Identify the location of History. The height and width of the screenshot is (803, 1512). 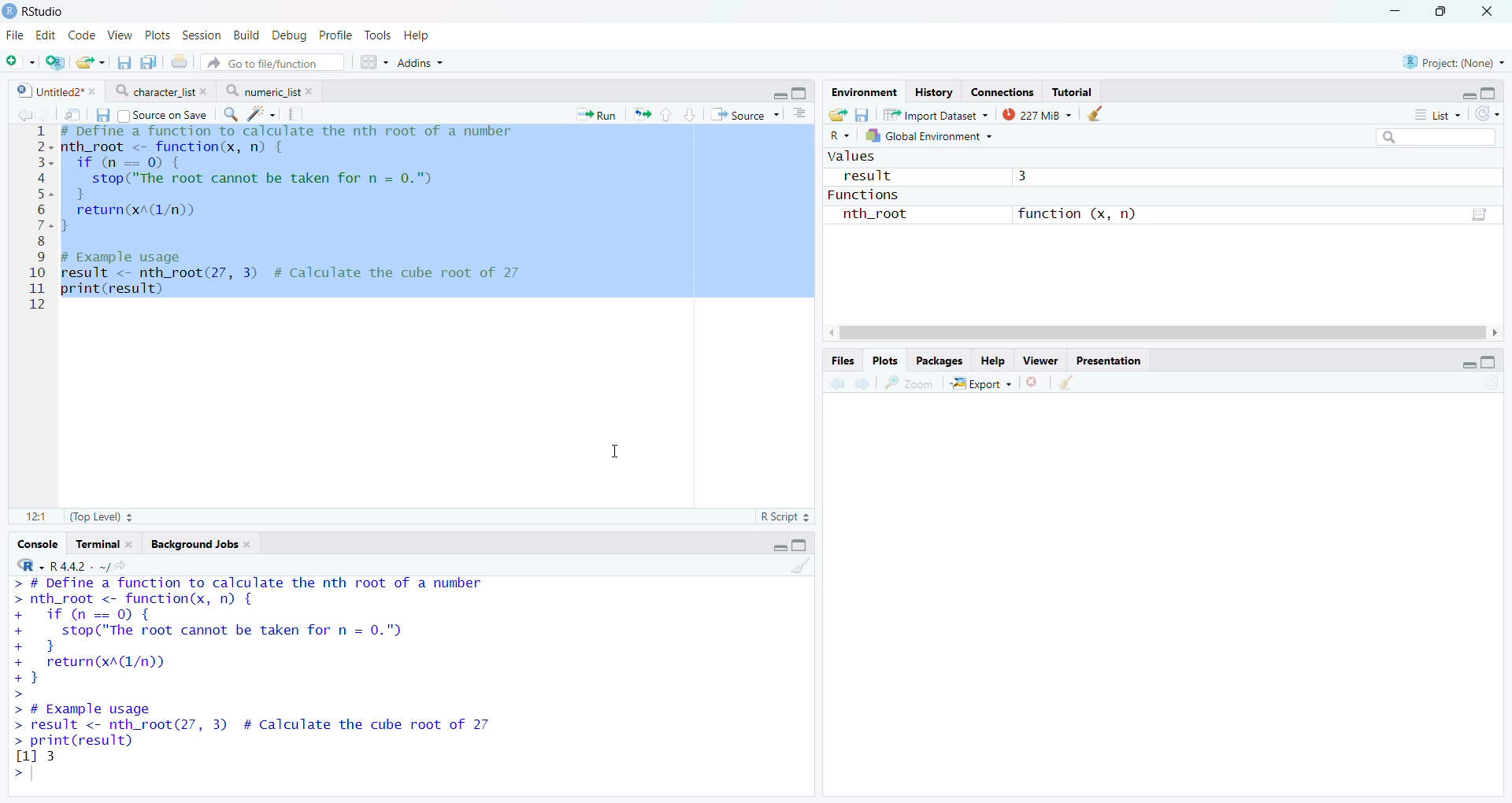
(933, 92).